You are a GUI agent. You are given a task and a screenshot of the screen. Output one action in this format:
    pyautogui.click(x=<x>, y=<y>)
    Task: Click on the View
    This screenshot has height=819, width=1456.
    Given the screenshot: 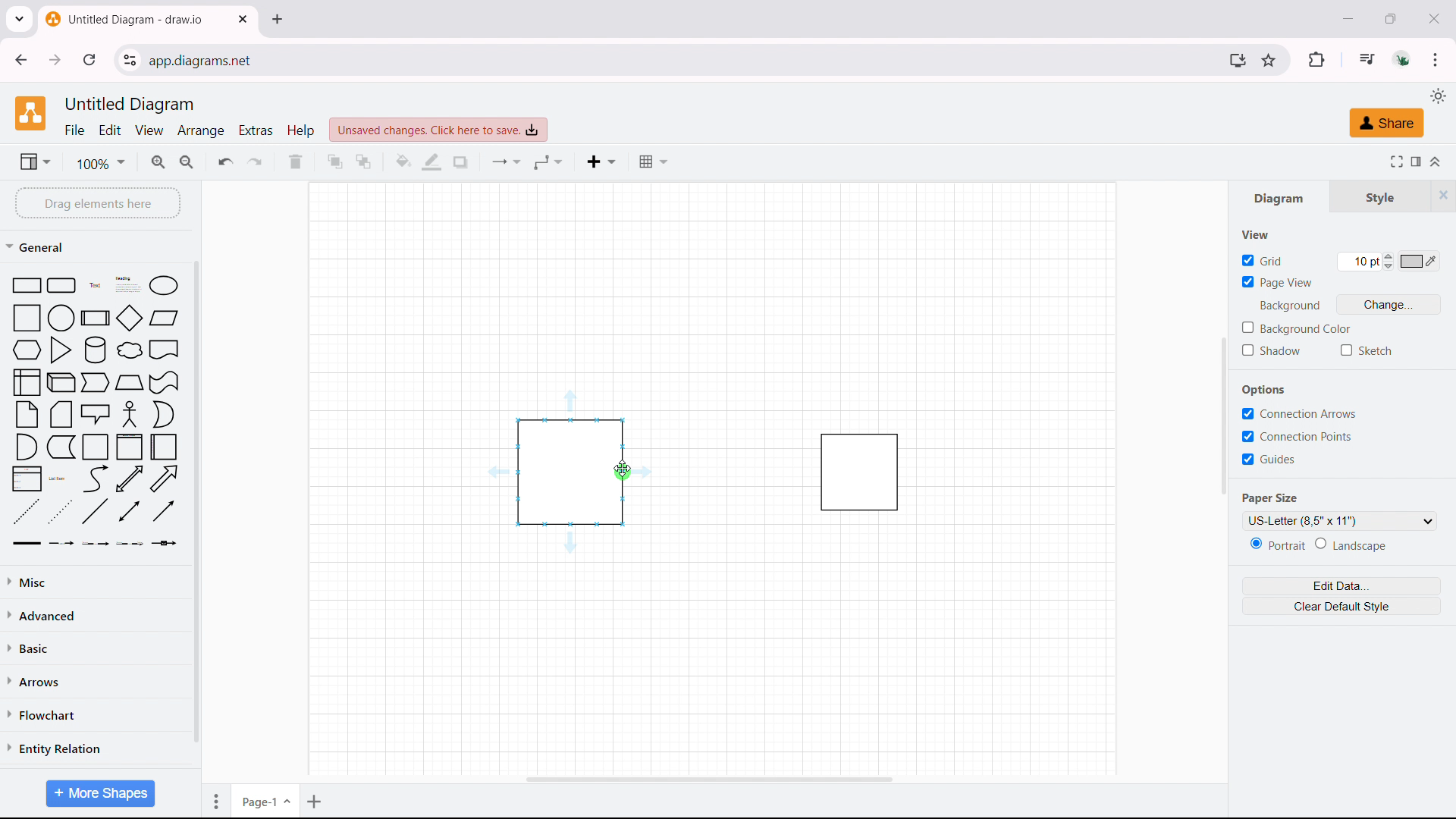 What is the action you would take?
    pyautogui.click(x=1249, y=234)
    